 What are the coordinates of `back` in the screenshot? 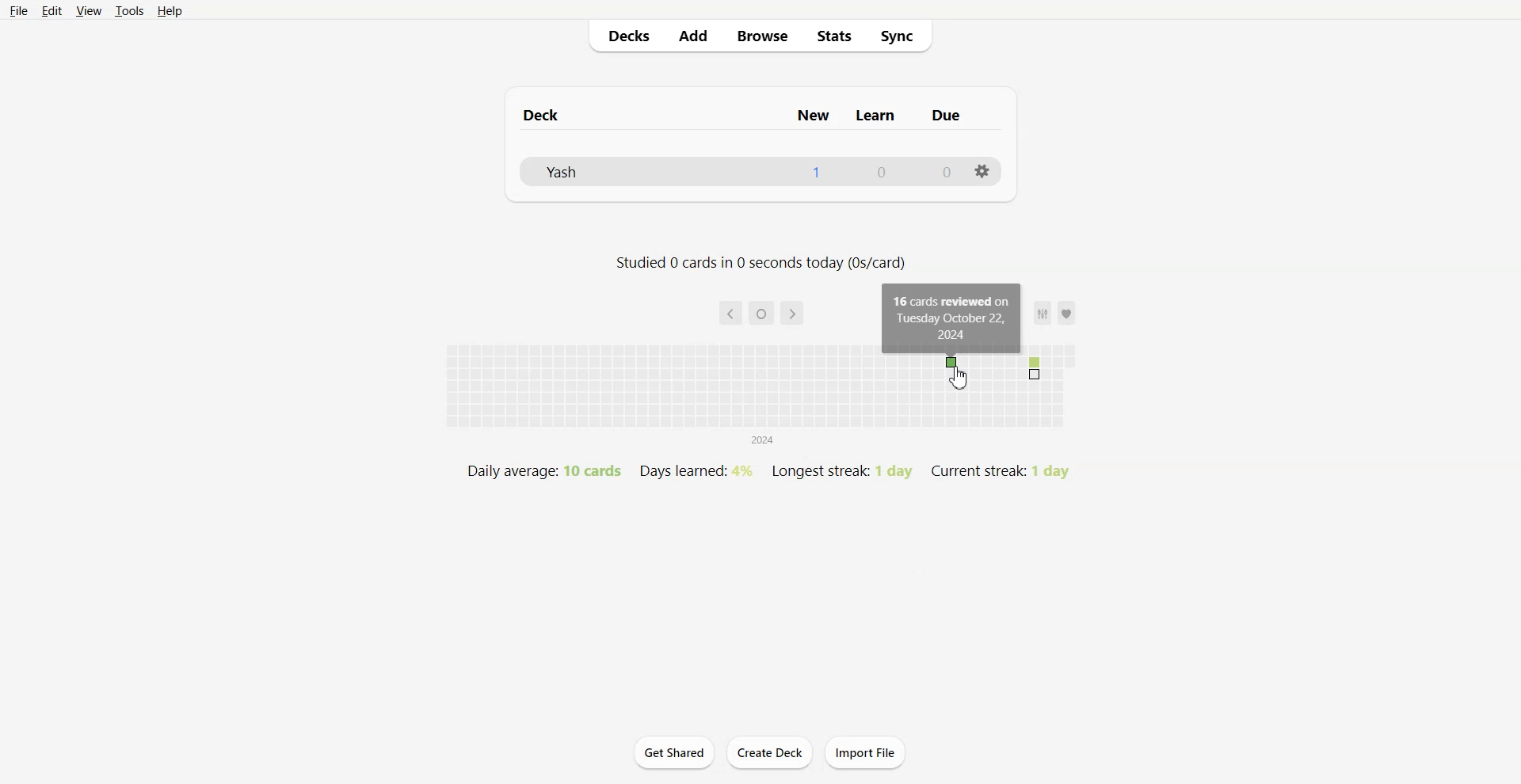 It's located at (730, 313).